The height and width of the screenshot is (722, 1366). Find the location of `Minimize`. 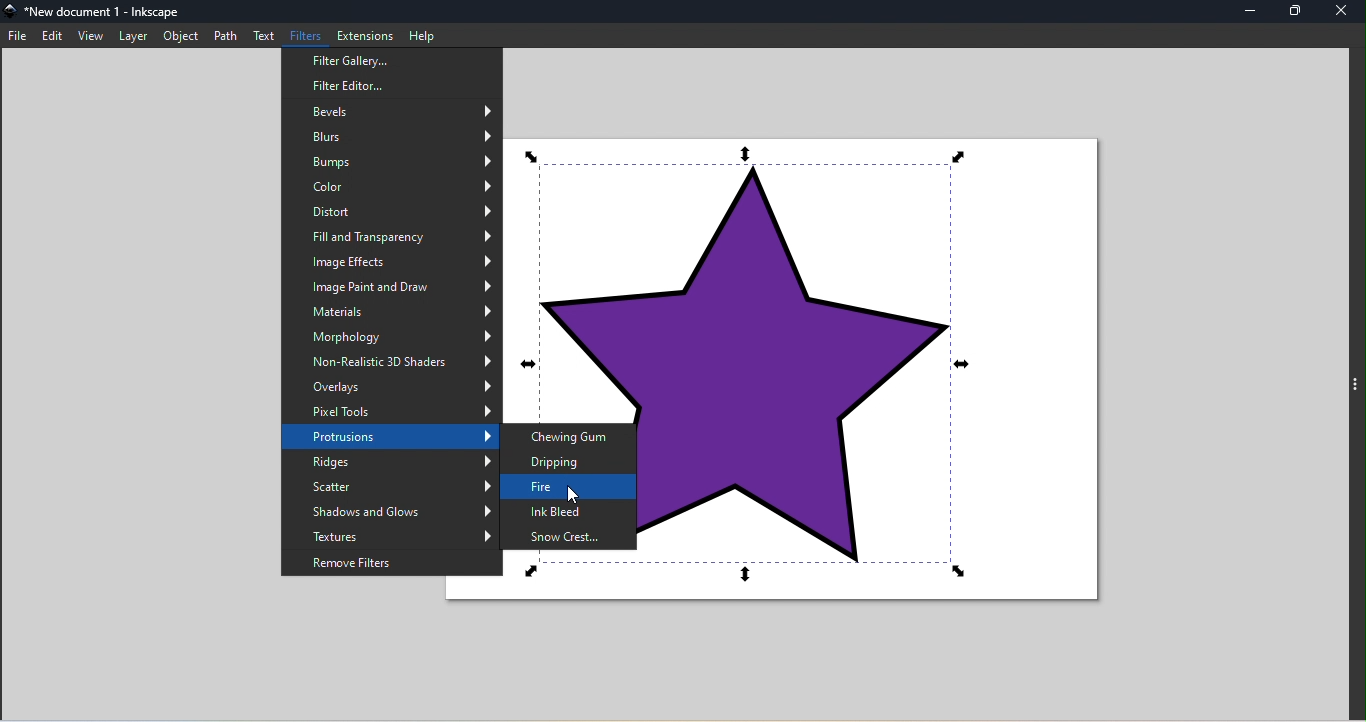

Minimize is located at coordinates (1248, 11).